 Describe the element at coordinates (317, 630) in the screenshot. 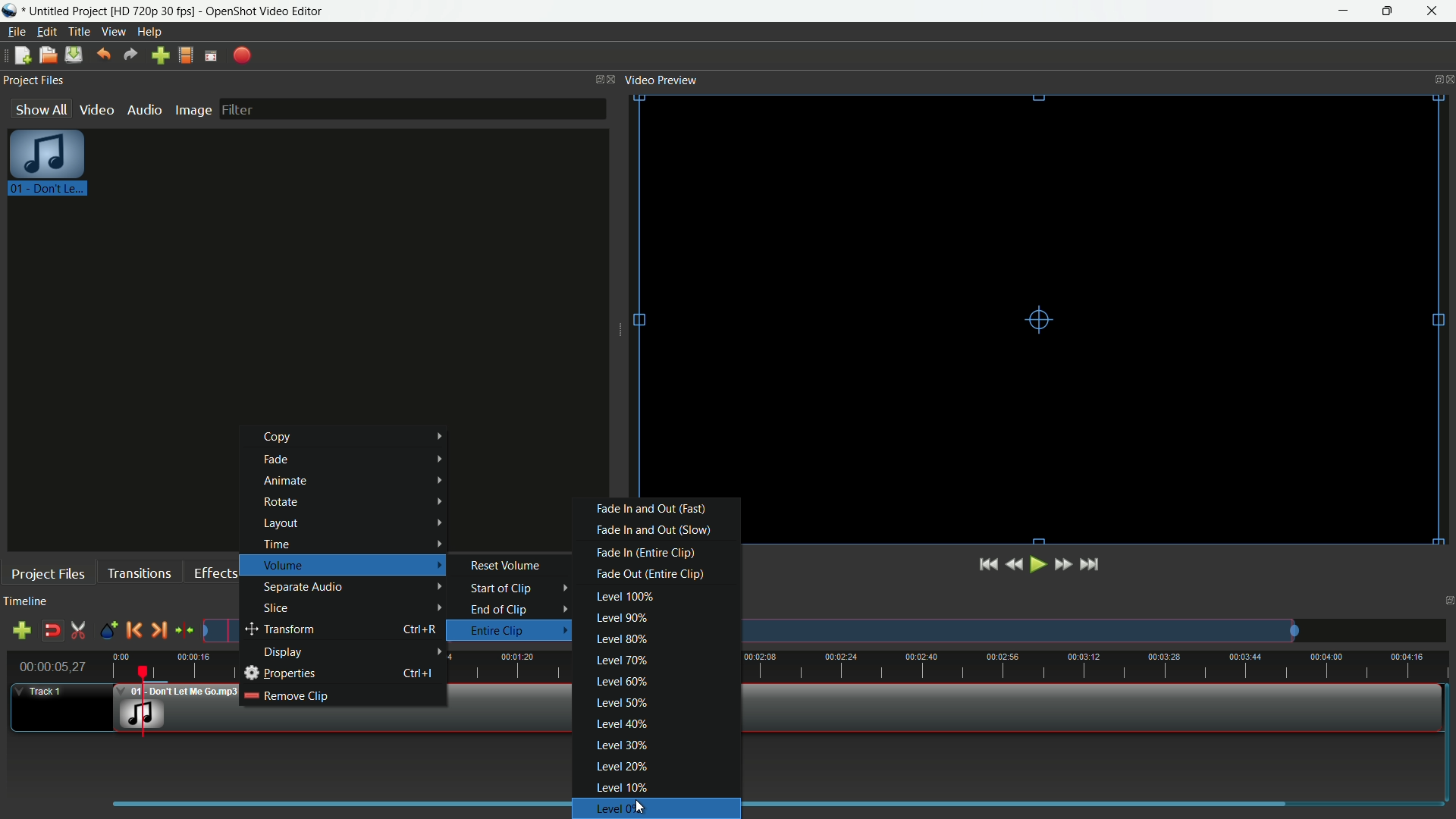

I see `transform` at that location.